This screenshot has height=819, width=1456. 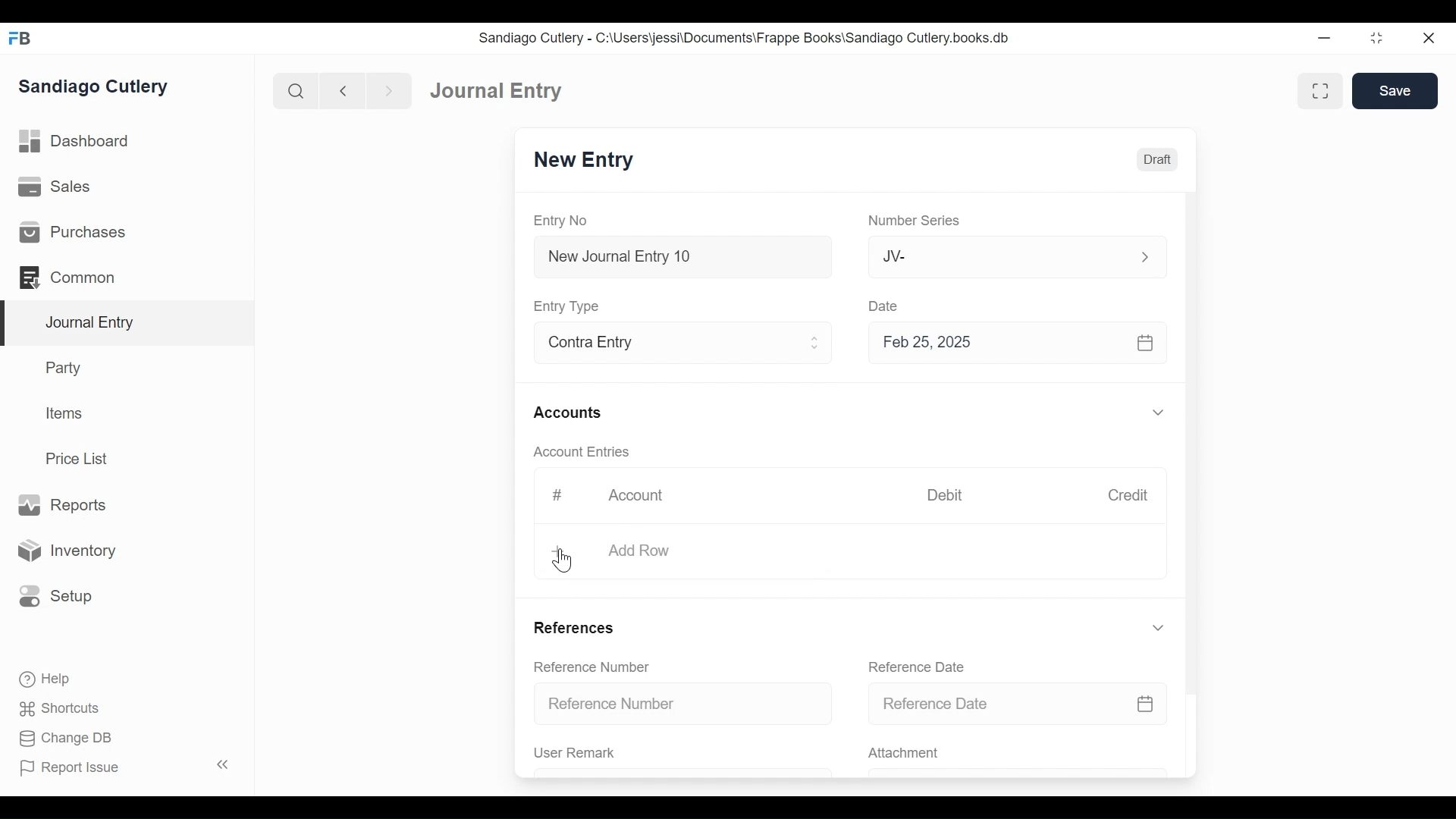 What do you see at coordinates (570, 413) in the screenshot?
I see `Accounts` at bounding box center [570, 413].